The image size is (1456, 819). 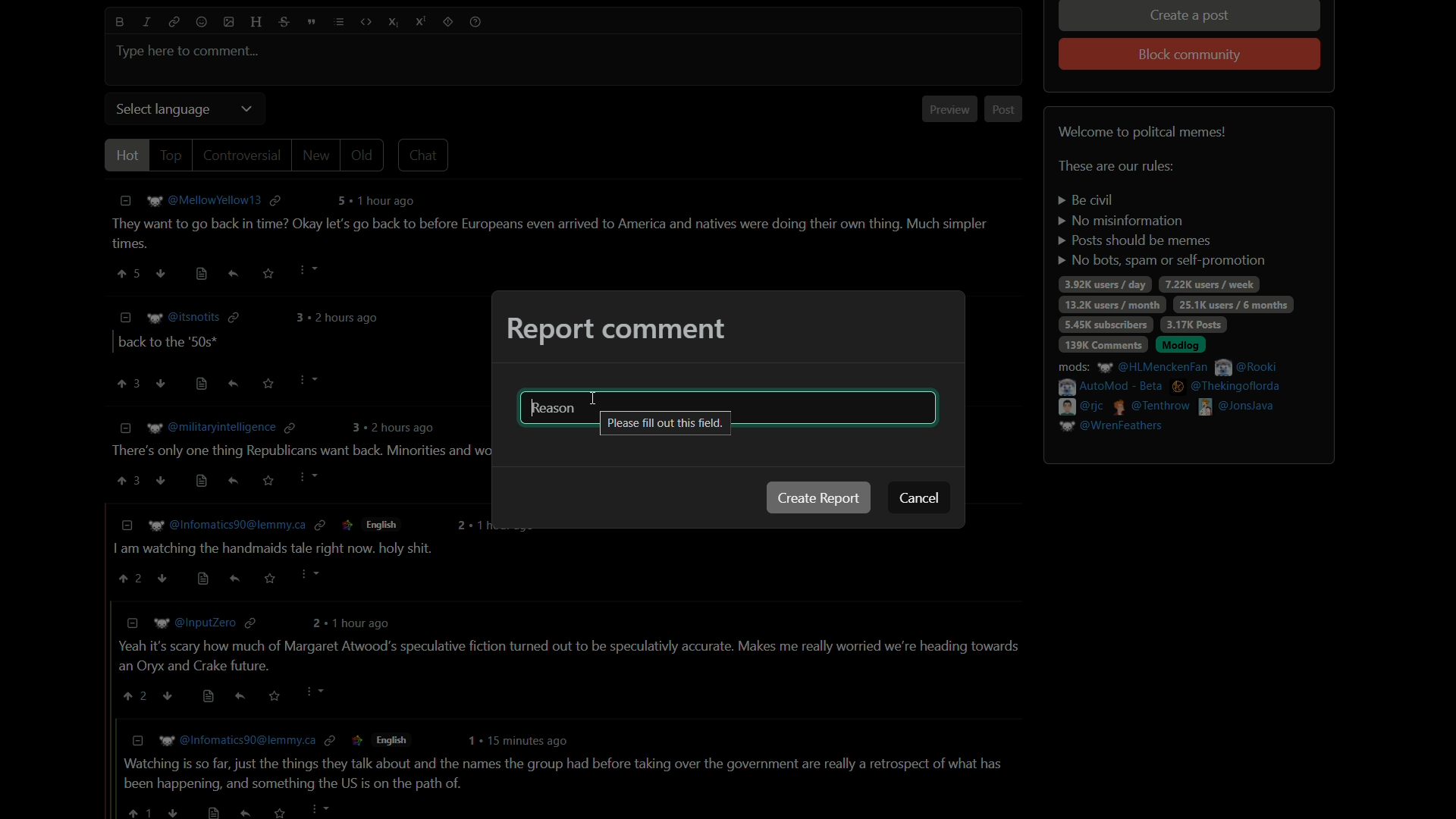 I want to click on comment-5, so click(x=576, y=656).